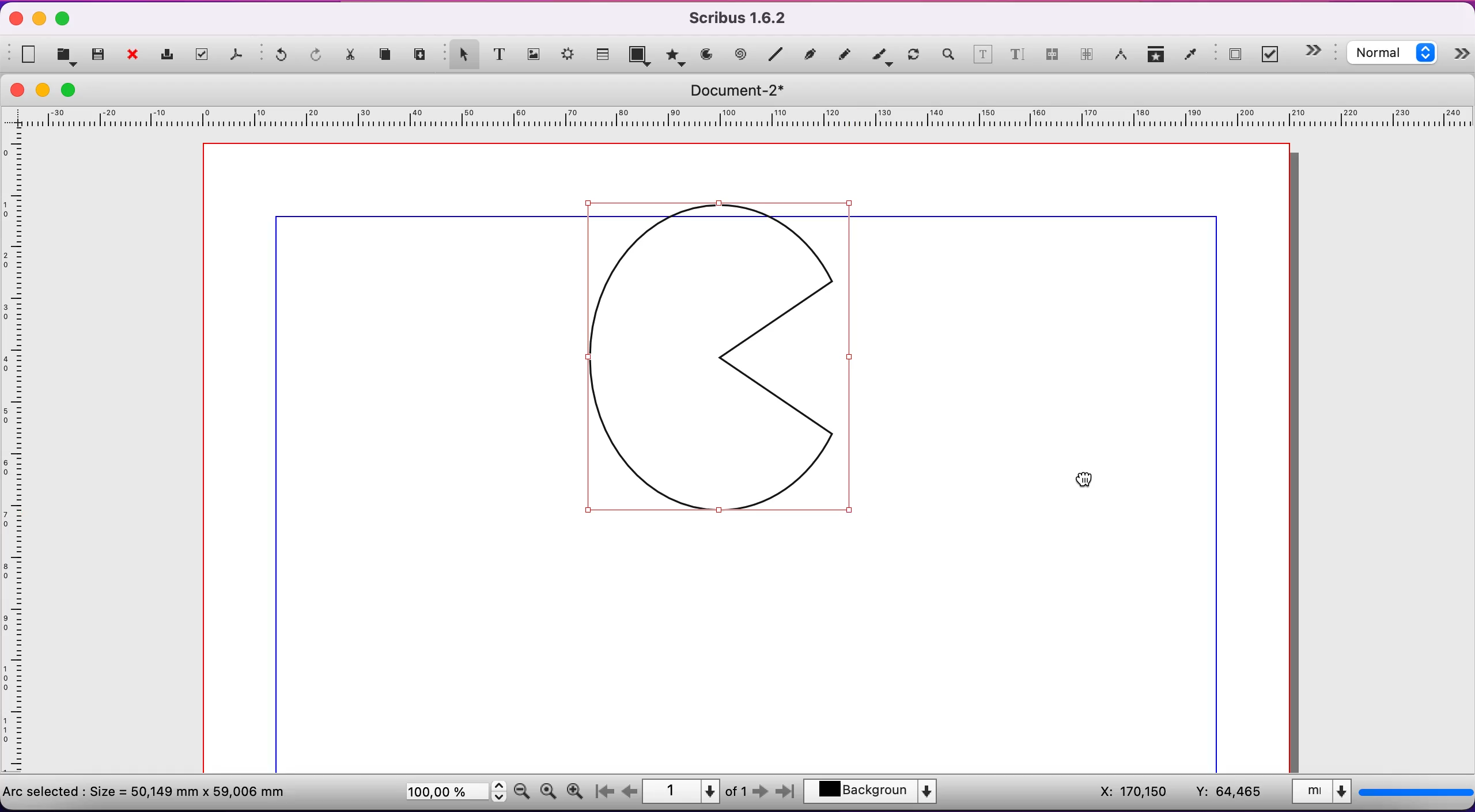  I want to click on close, so click(13, 20).